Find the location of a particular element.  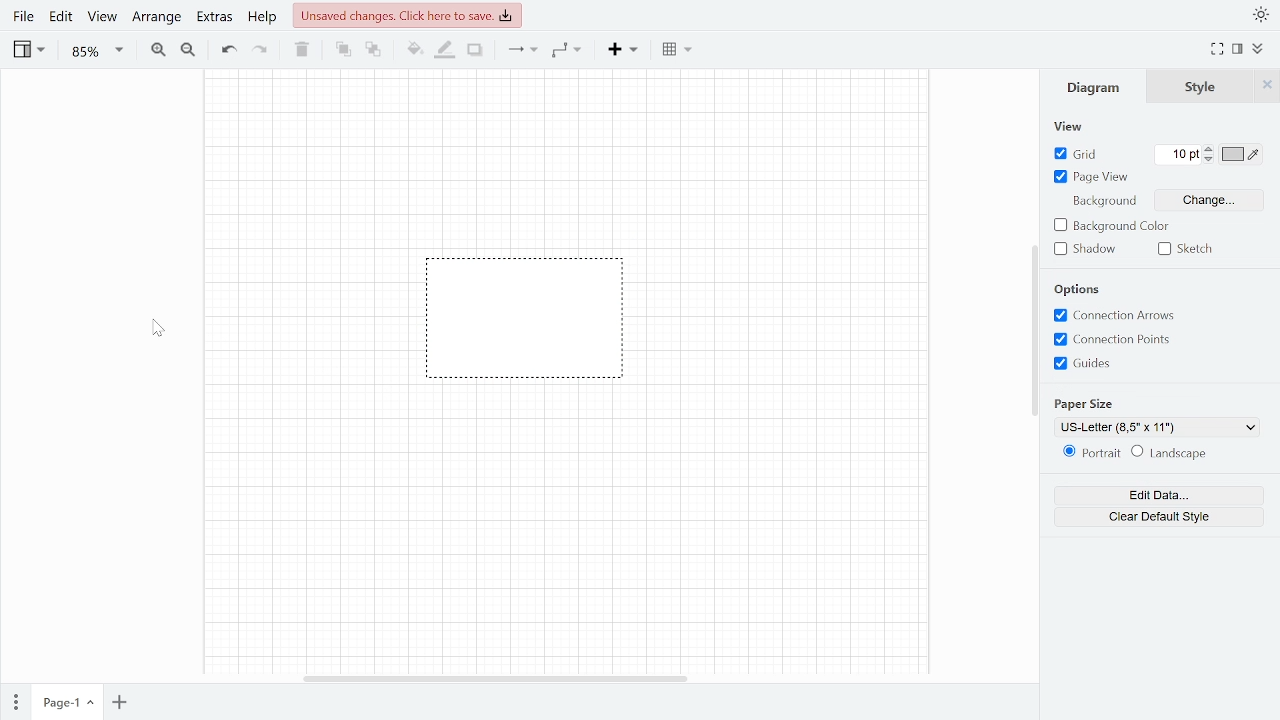

Insert is located at coordinates (622, 51).